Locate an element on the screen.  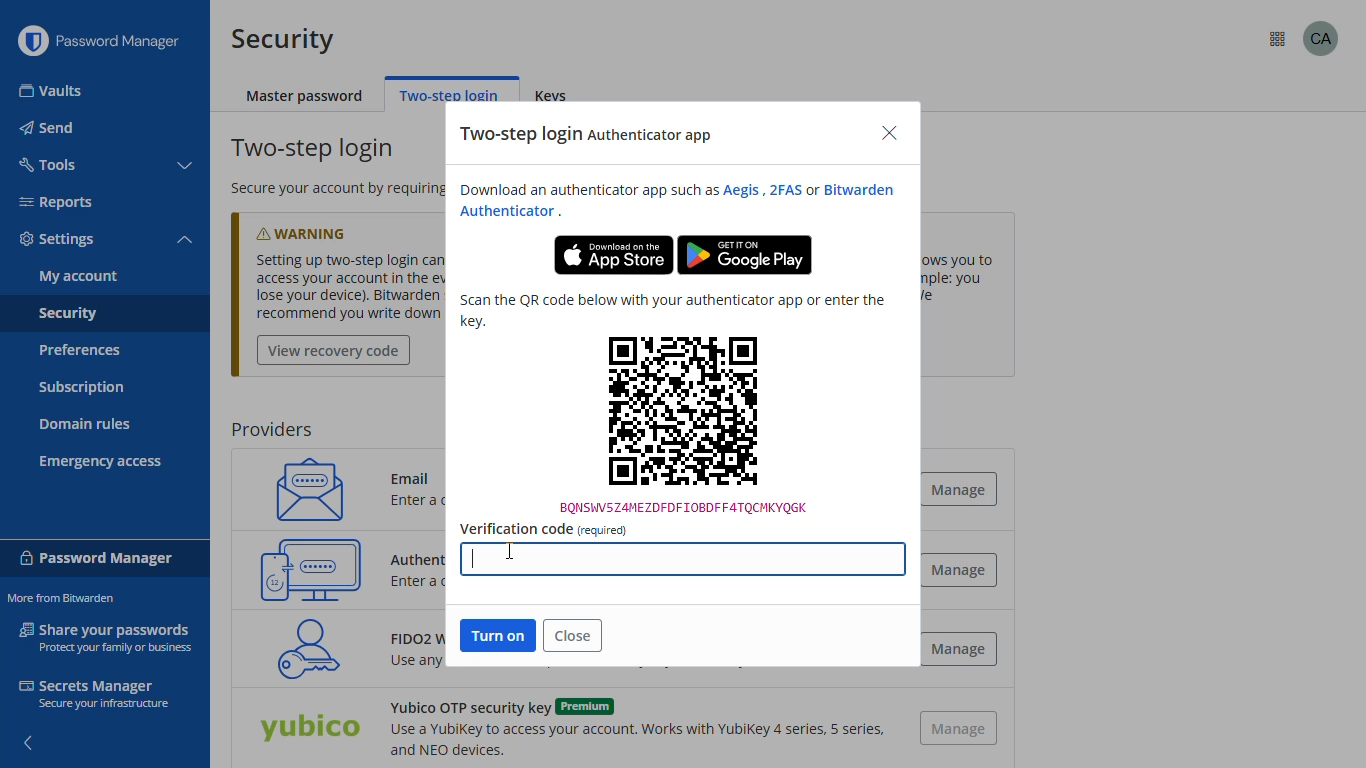
email is located at coordinates (303, 488).